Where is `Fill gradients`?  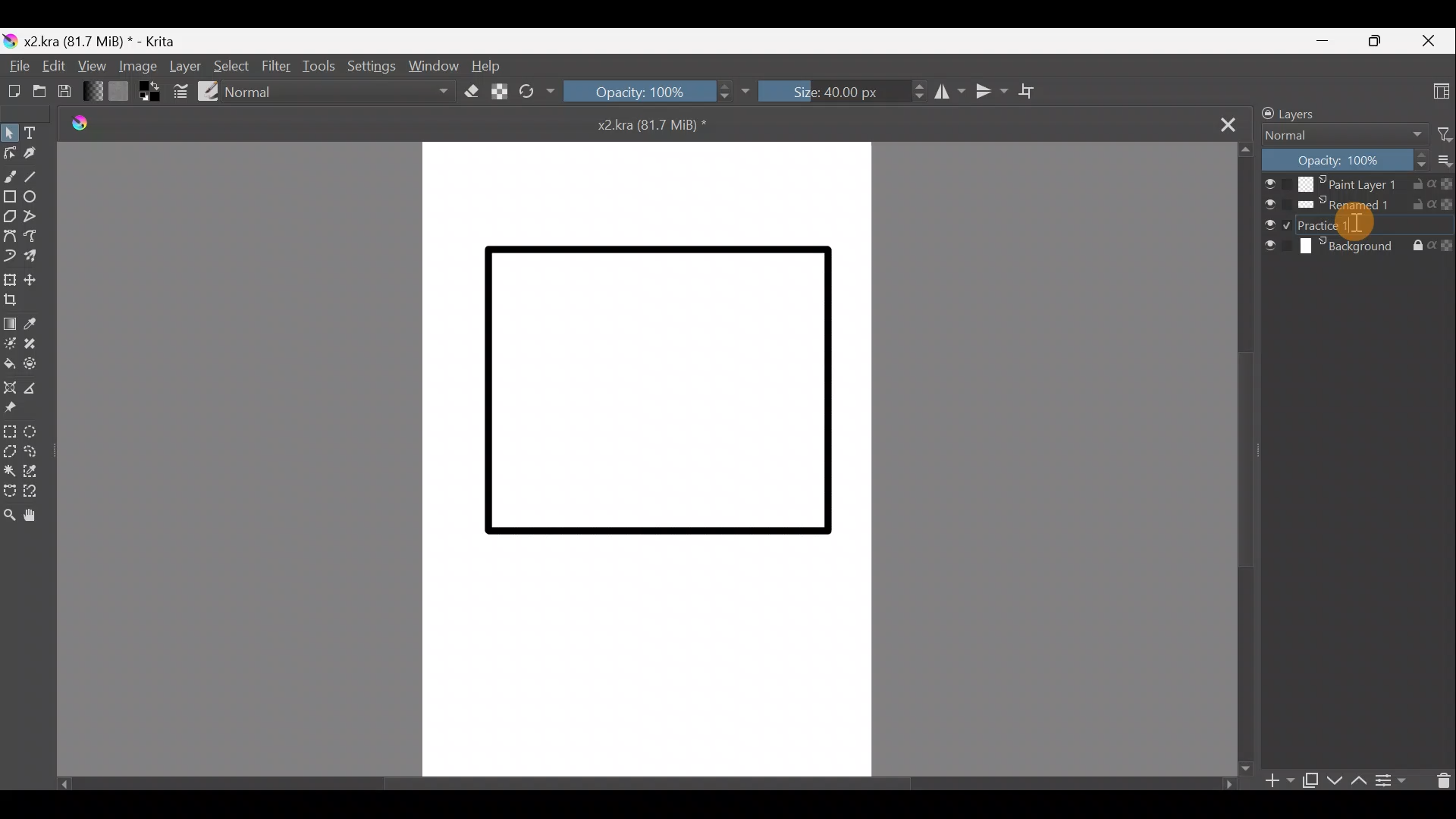
Fill gradients is located at coordinates (93, 92).